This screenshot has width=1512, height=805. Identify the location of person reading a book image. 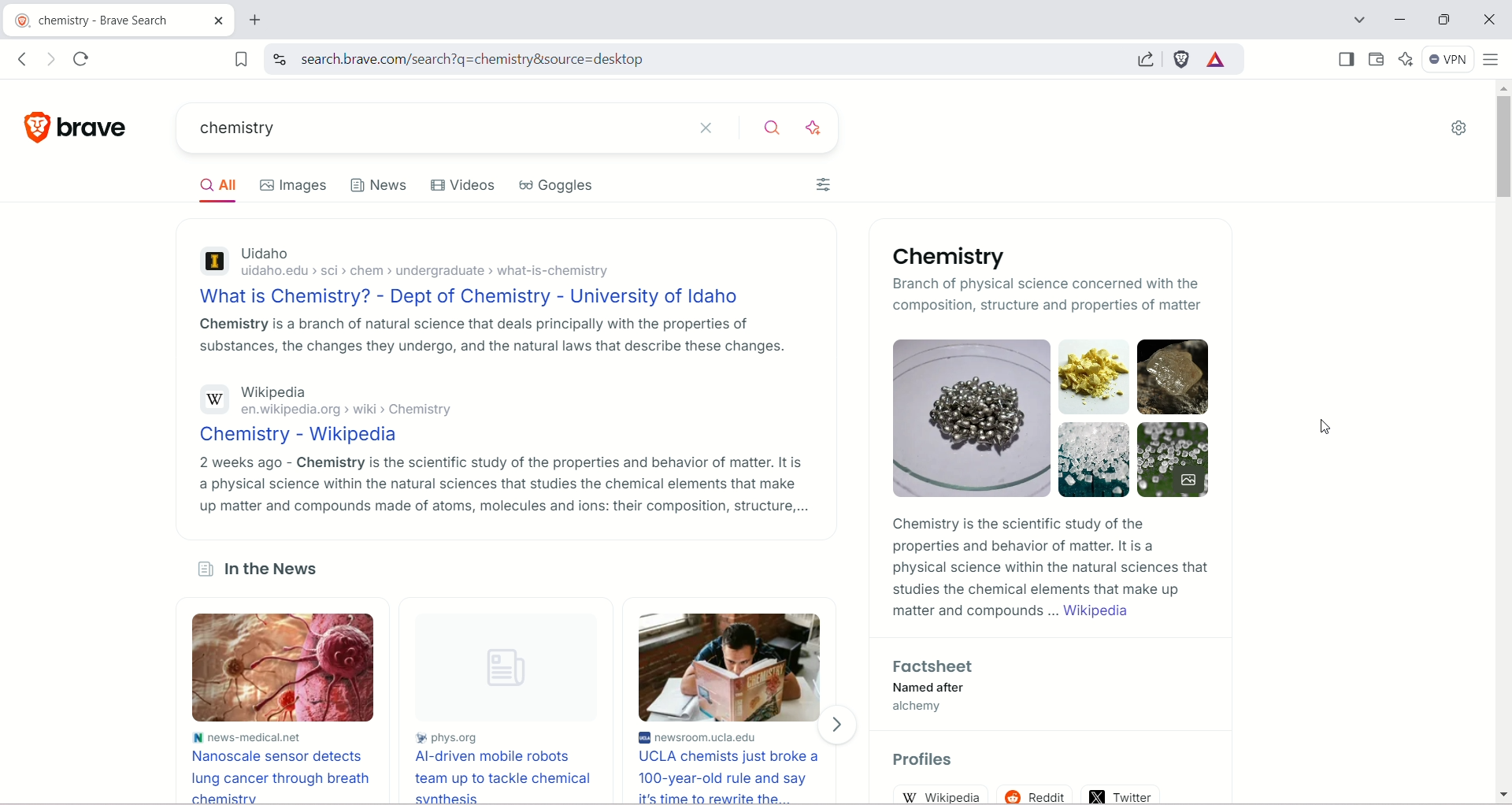
(730, 668).